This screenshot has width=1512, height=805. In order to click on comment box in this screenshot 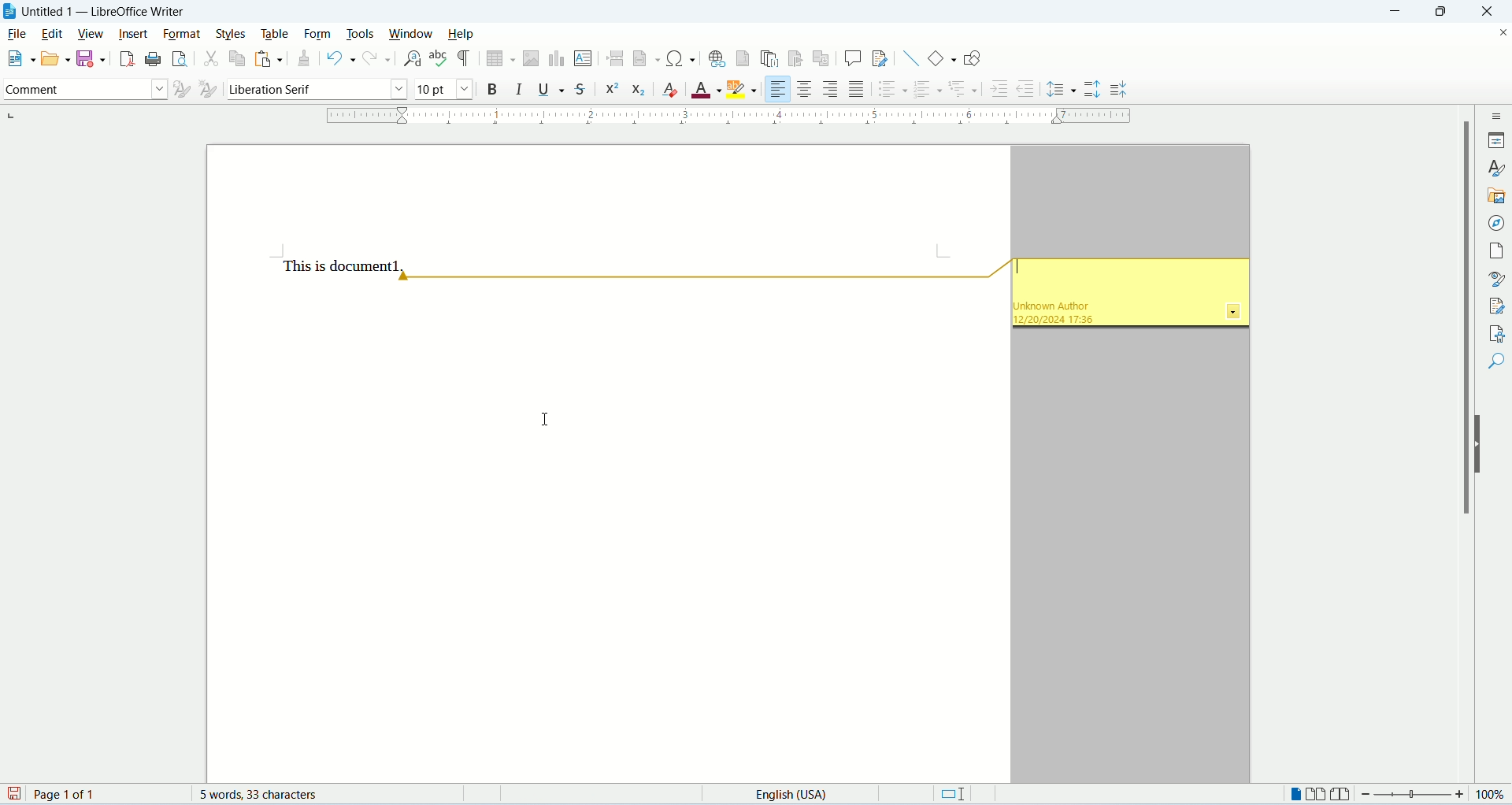, I will do `click(1128, 297)`.